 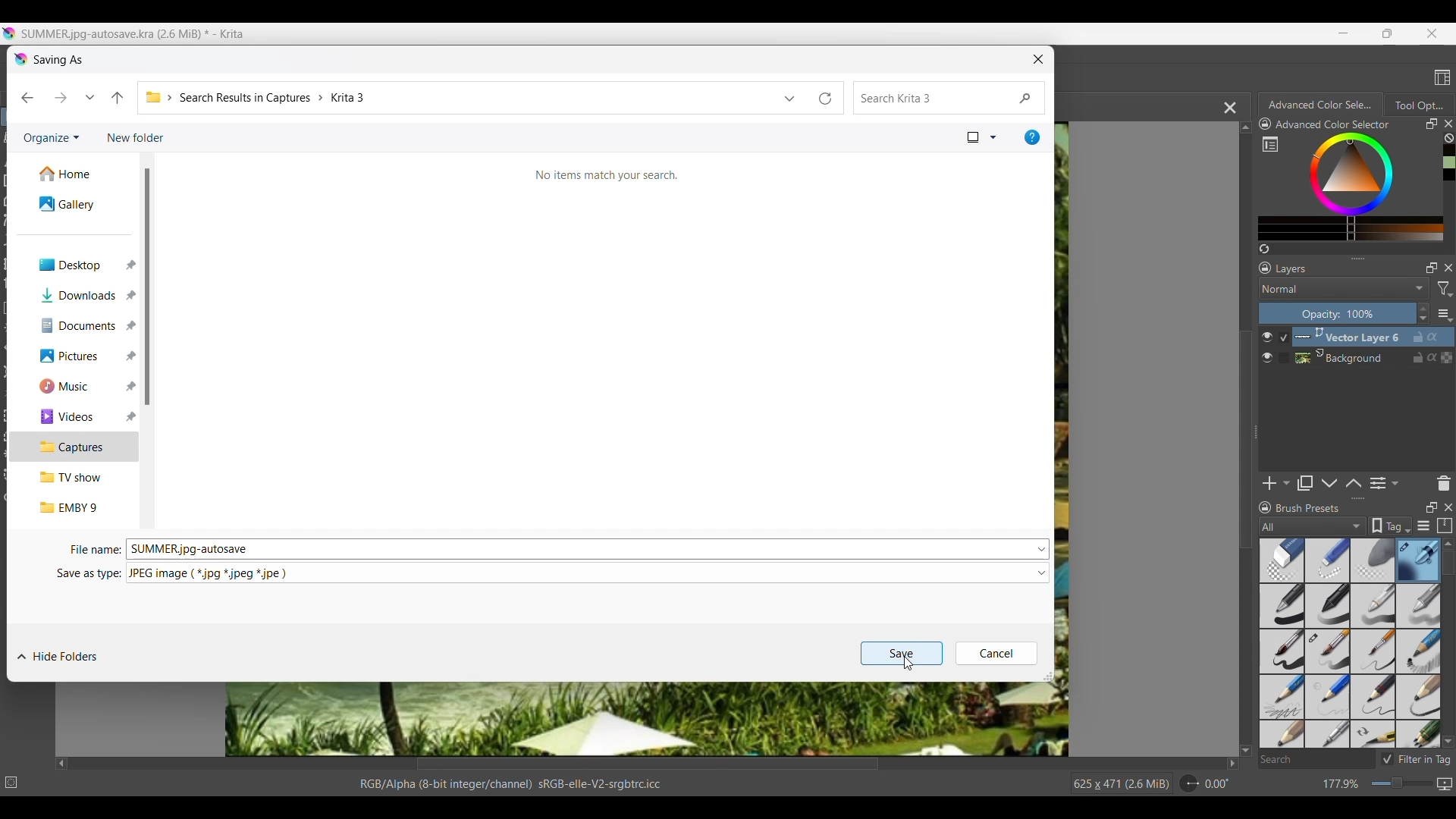 I want to click on Software logo, so click(x=21, y=61).